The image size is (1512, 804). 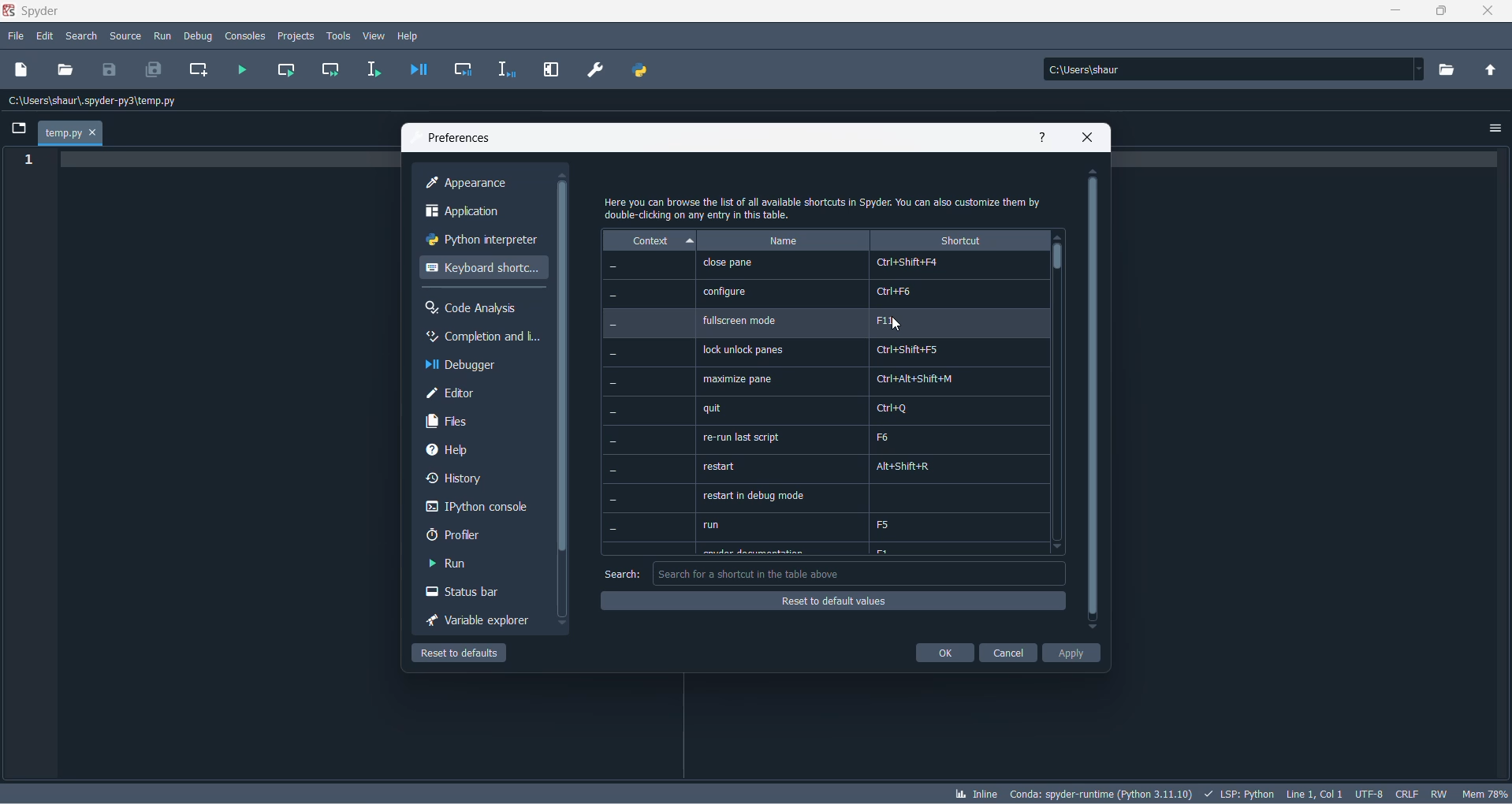 What do you see at coordinates (1494, 14) in the screenshot?
I see `close` at bounding box center [1494, 14].